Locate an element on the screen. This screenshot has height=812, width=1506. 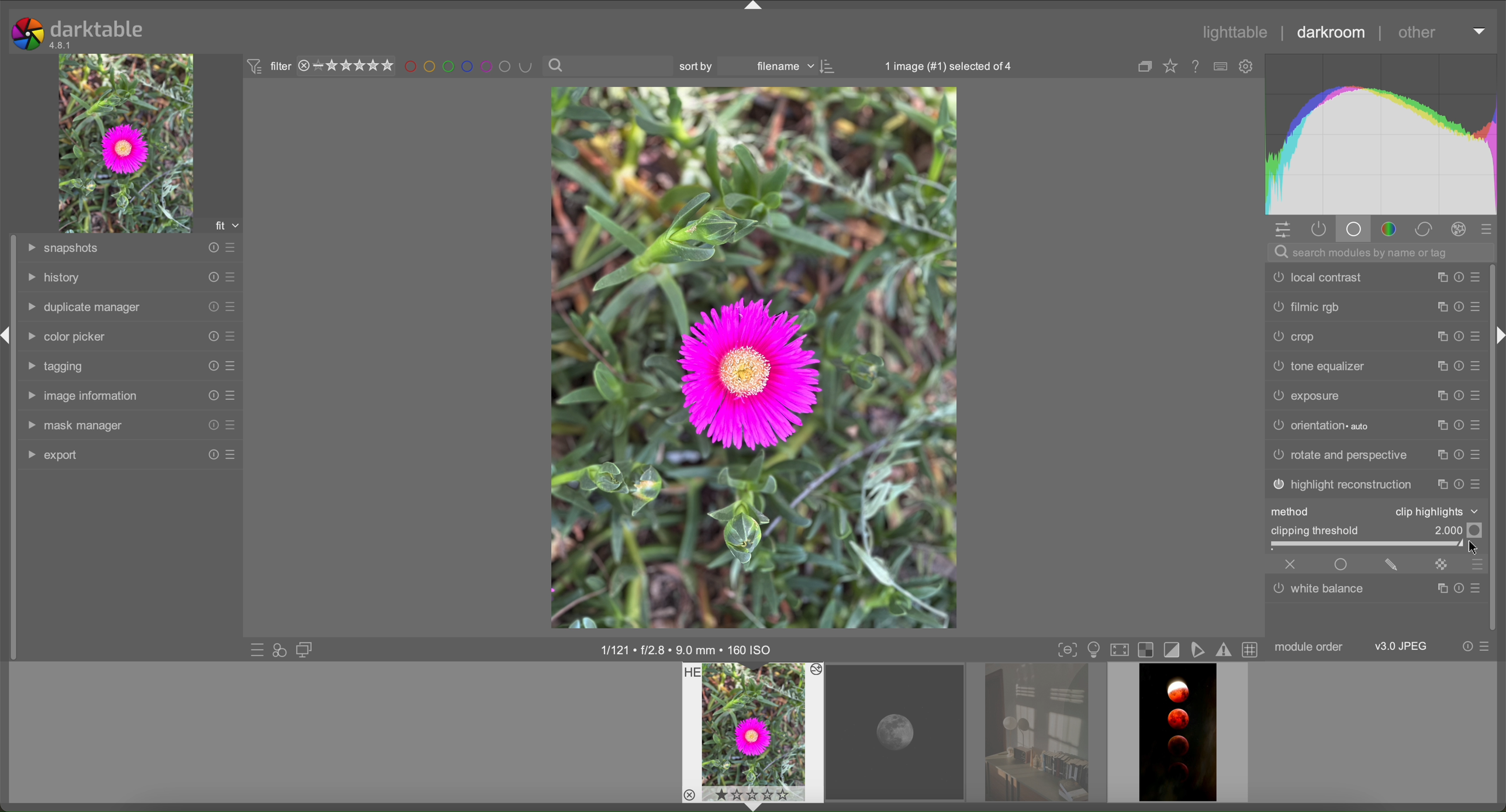
Favourites  is located at coordinates (1170, 68).